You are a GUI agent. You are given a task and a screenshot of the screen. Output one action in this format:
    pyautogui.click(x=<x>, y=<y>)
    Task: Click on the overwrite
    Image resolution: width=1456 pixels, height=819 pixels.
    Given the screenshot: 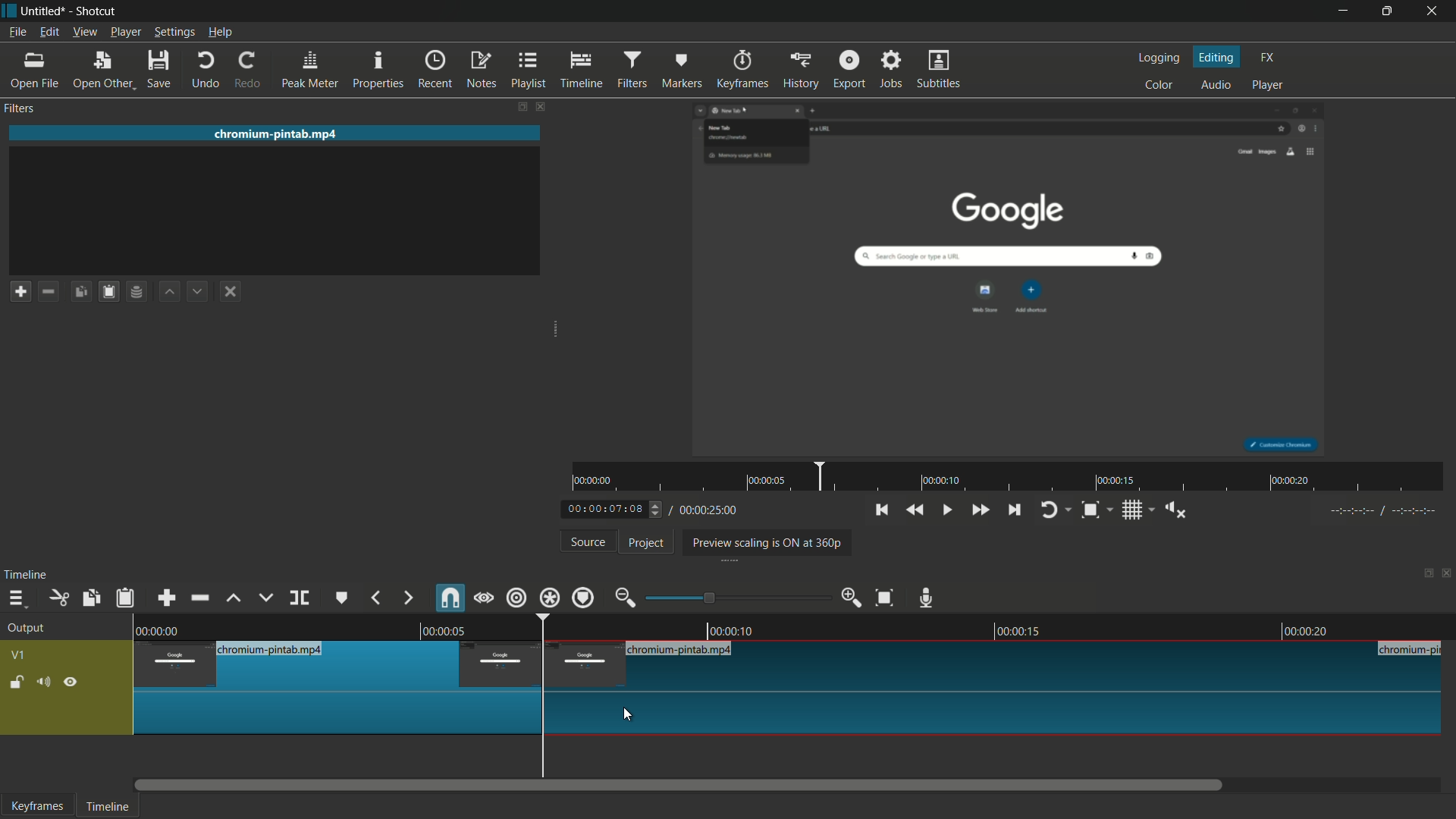 What is the action you would take?
    pyautogui.click(x=265, y=598)
    